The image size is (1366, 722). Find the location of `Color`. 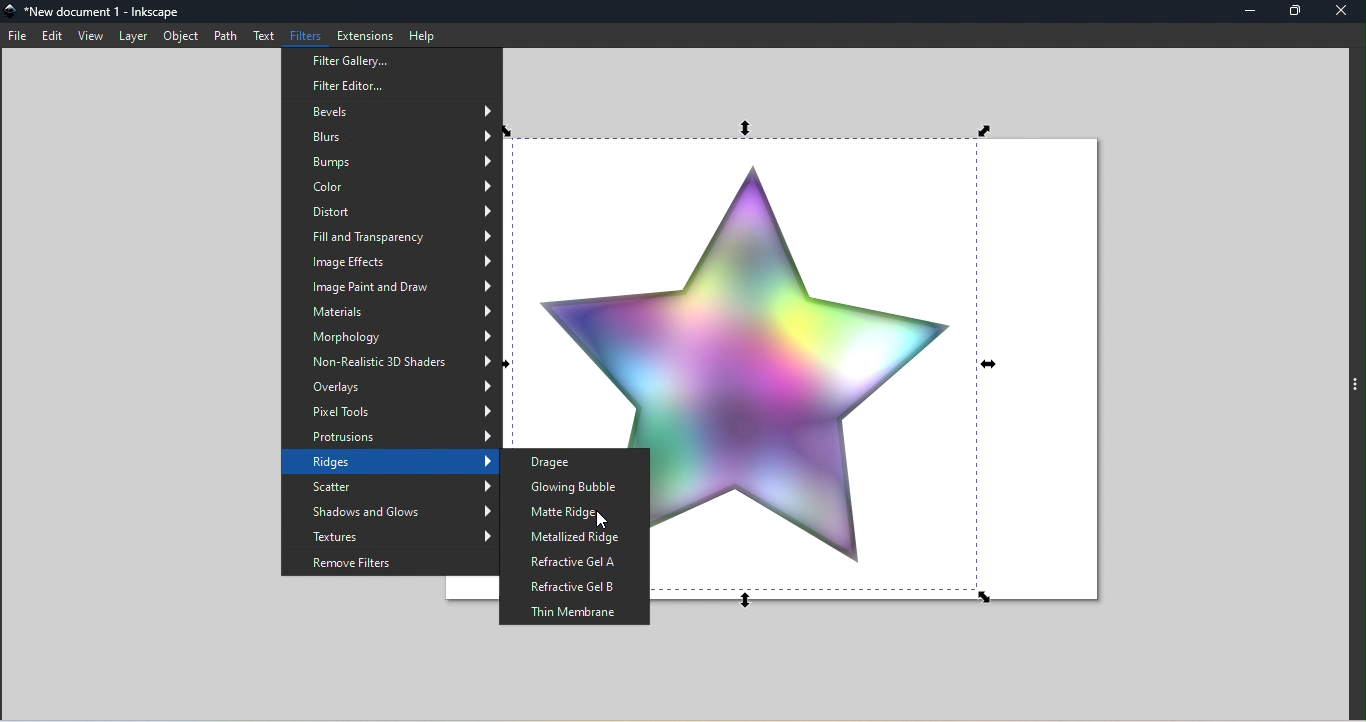

Color is located at coordinates (389, 189).